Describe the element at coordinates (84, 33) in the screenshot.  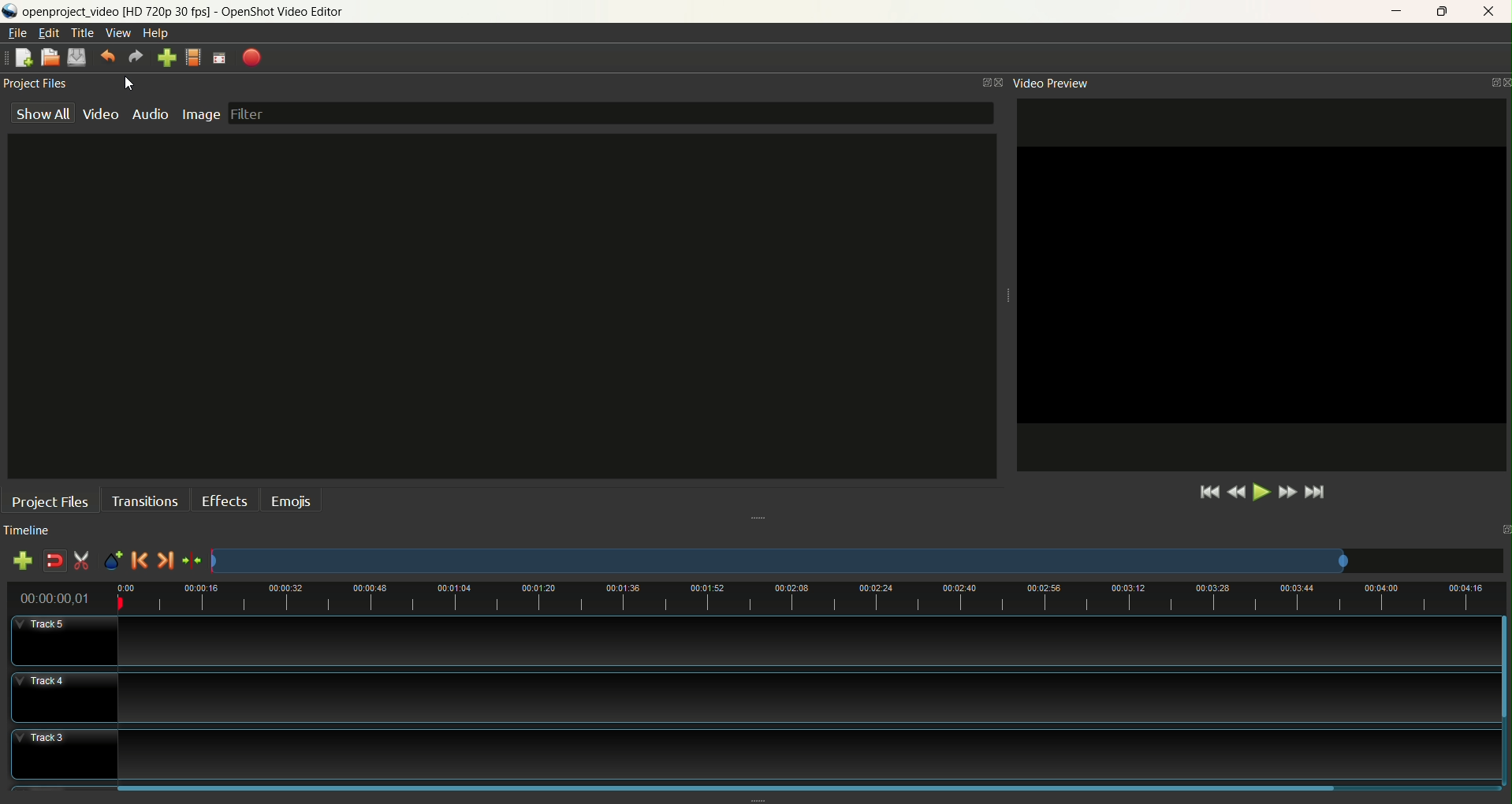
I see `title` at that location.